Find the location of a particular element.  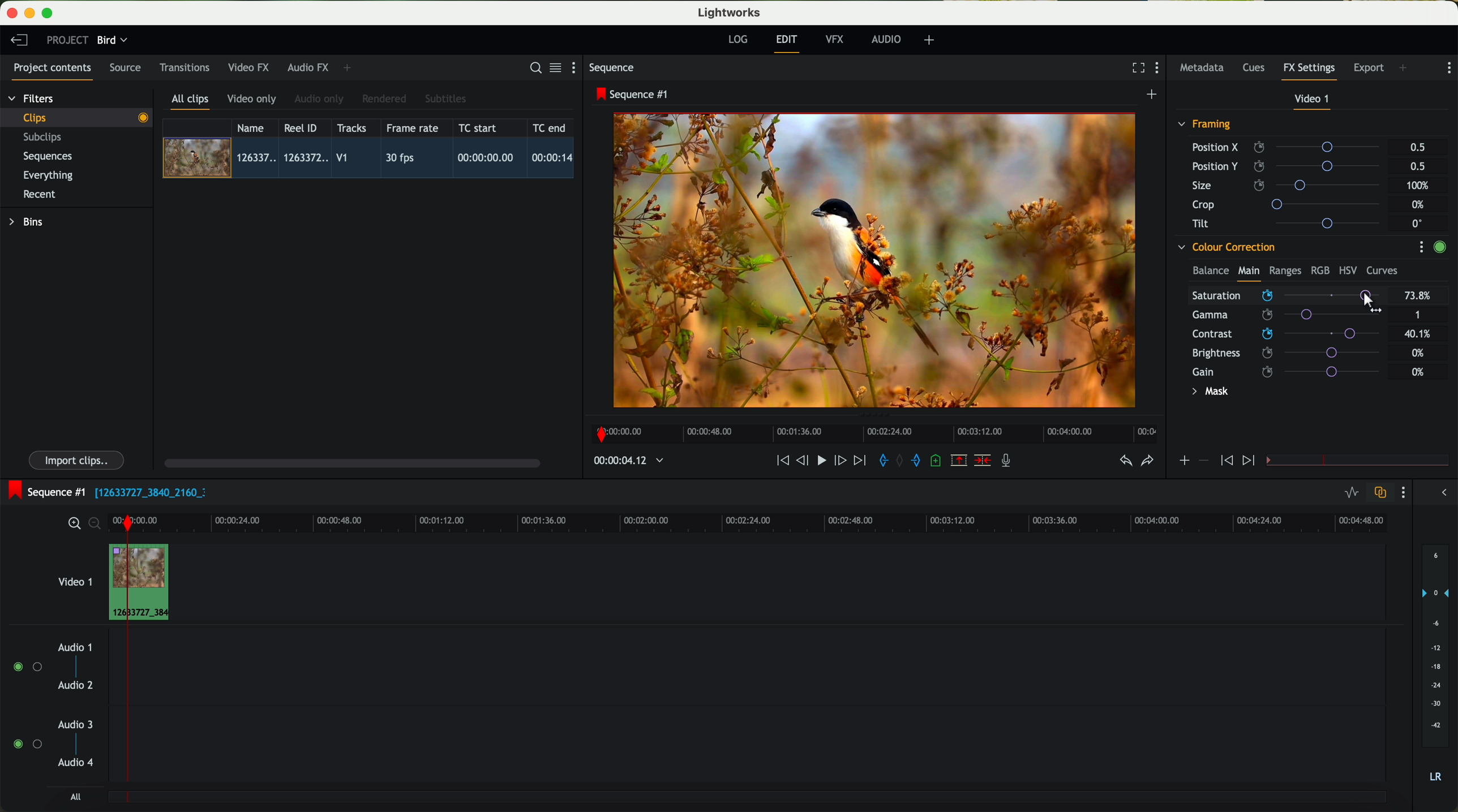

add panel is located at coordinates (350, 68).